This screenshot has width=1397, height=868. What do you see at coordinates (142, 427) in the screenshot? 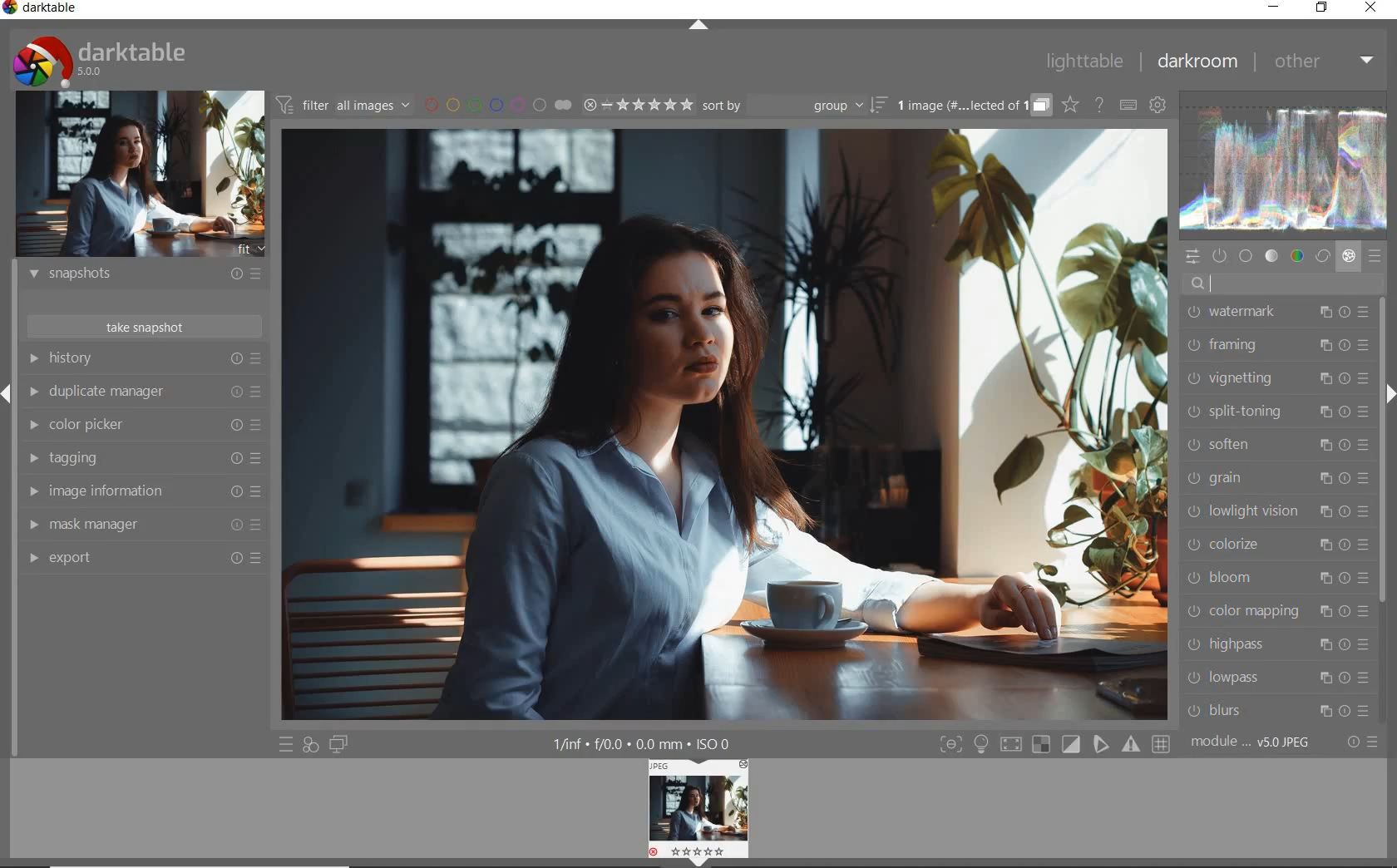
I see `color picker` at bounding box center [142, 427].